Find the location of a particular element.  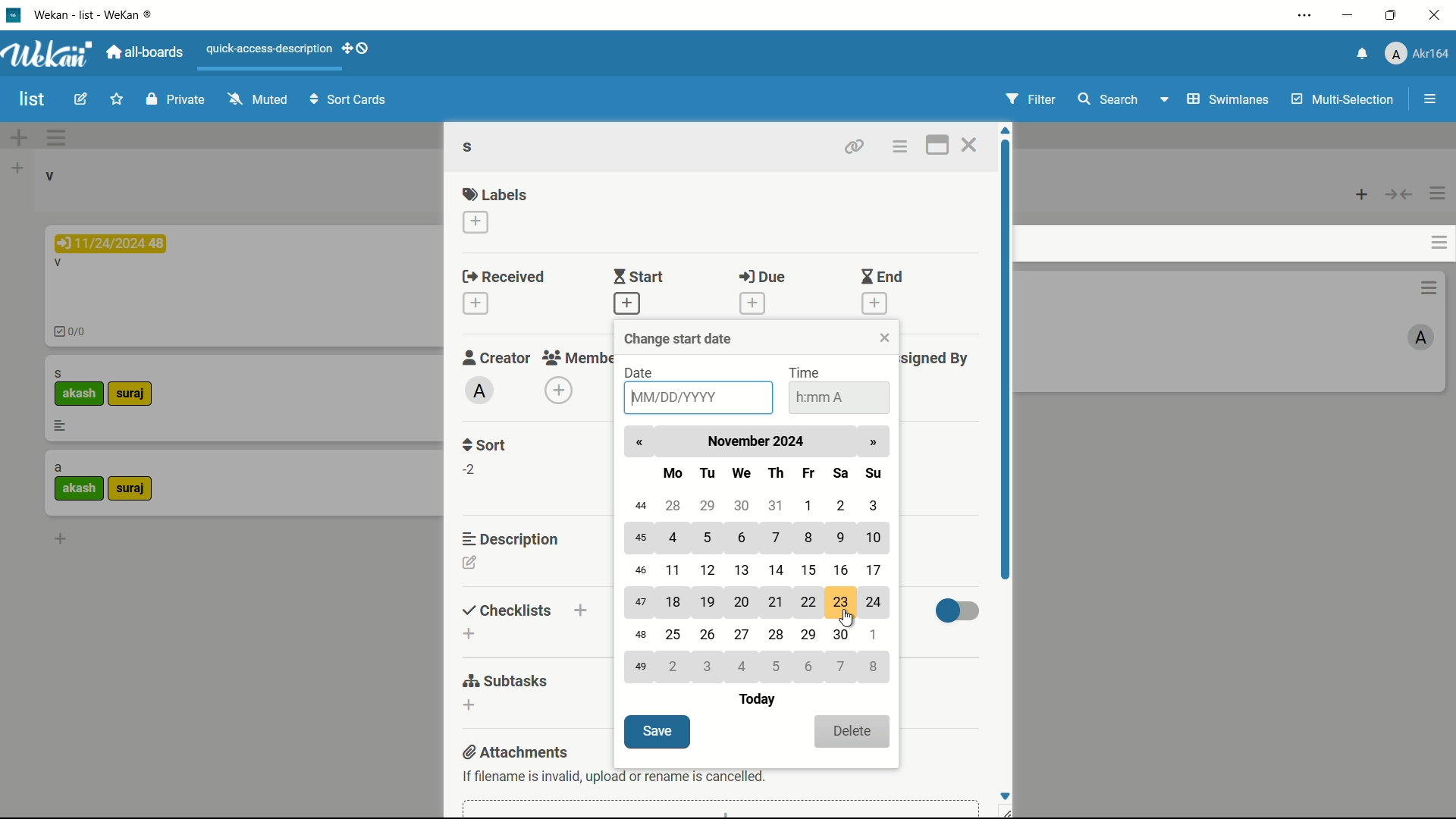

add start date is located at coordinates (626, 304).